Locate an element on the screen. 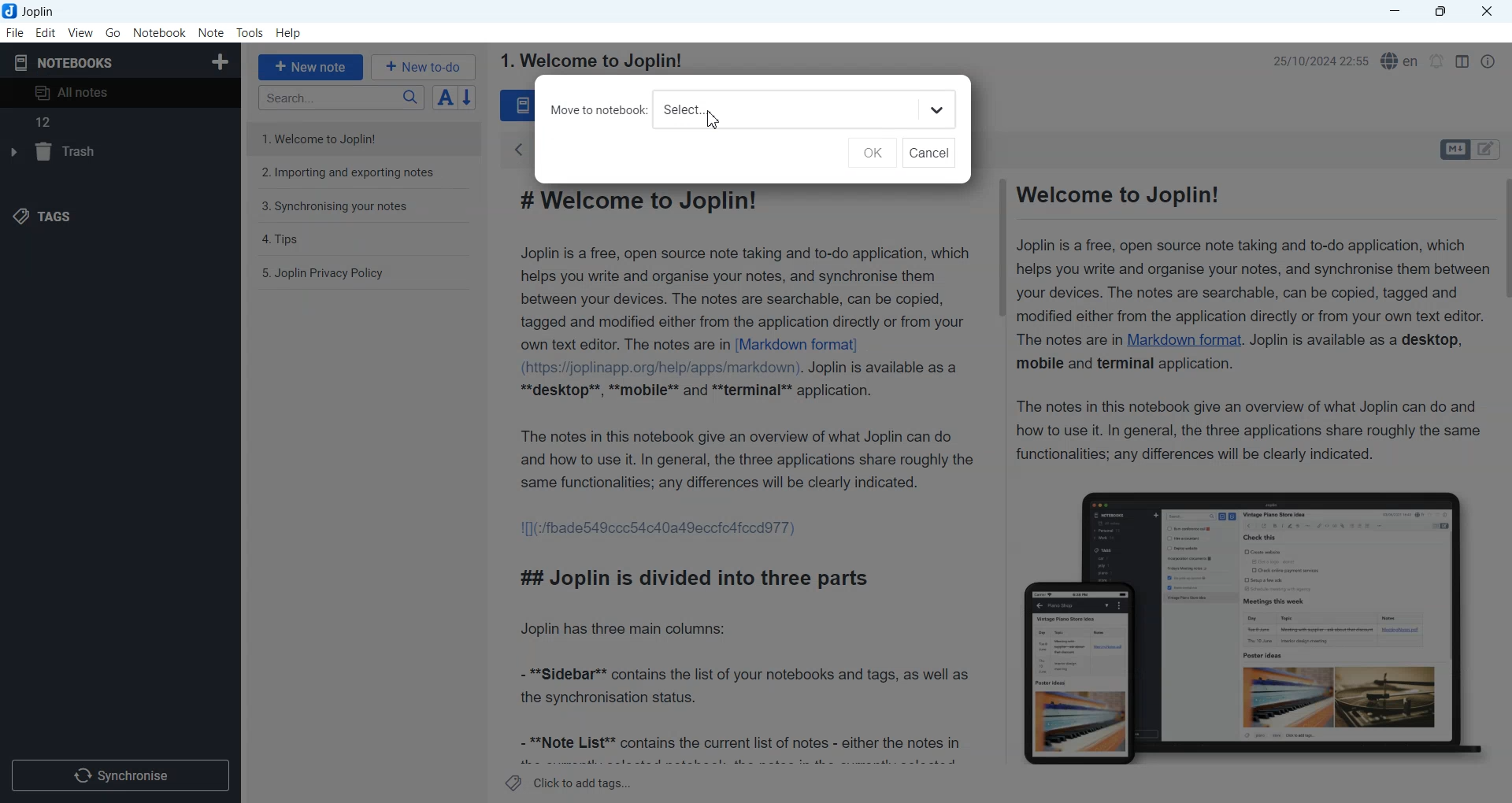 This screenshot has width=1512, height=803. Maximize is located at coordinates (1443, 12).